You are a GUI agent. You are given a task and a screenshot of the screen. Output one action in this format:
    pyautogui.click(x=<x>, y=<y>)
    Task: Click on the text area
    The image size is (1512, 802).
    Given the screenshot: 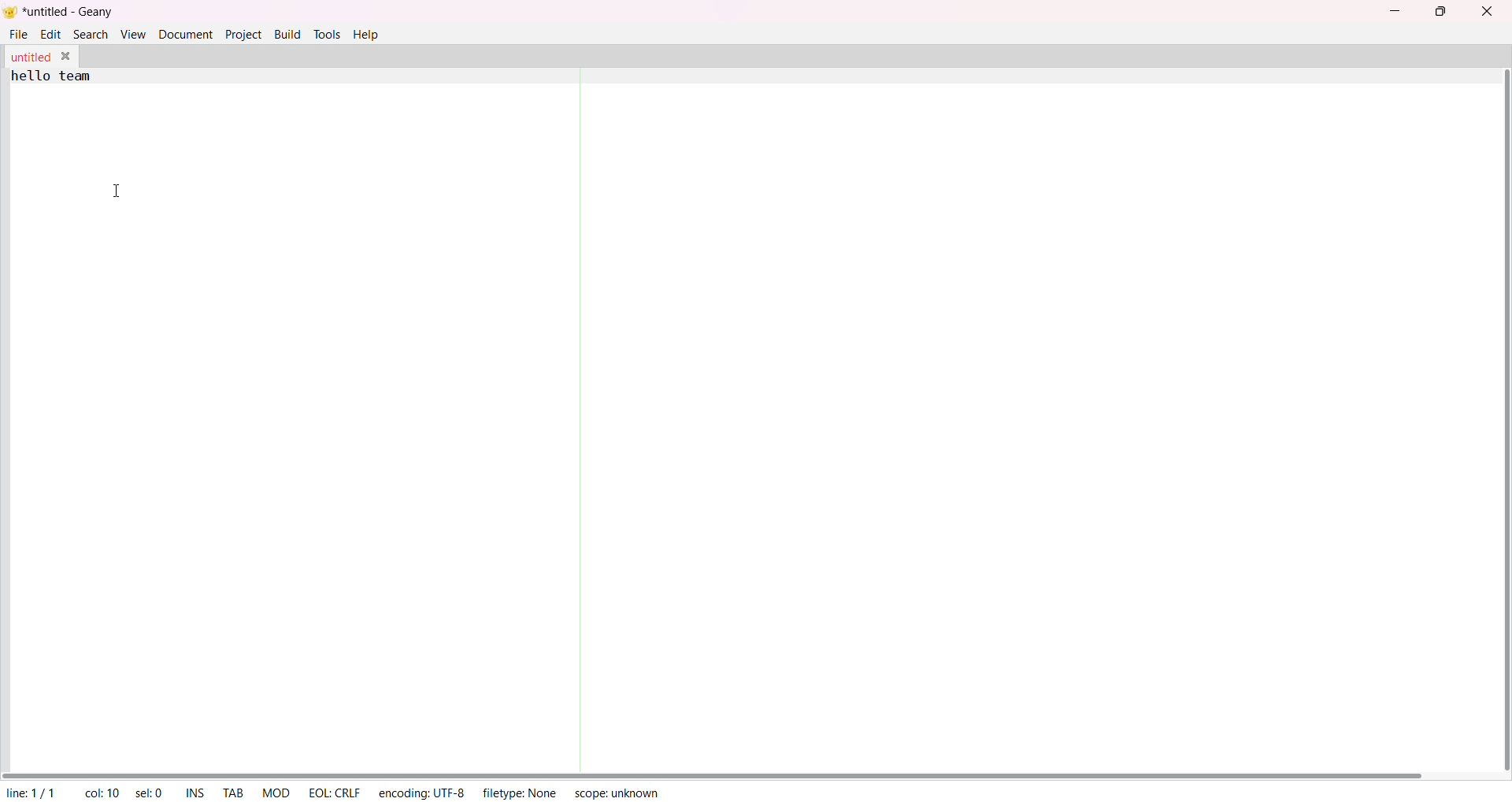 What is the action you would take?
    pyautogui.click(x=748, y=433)
    